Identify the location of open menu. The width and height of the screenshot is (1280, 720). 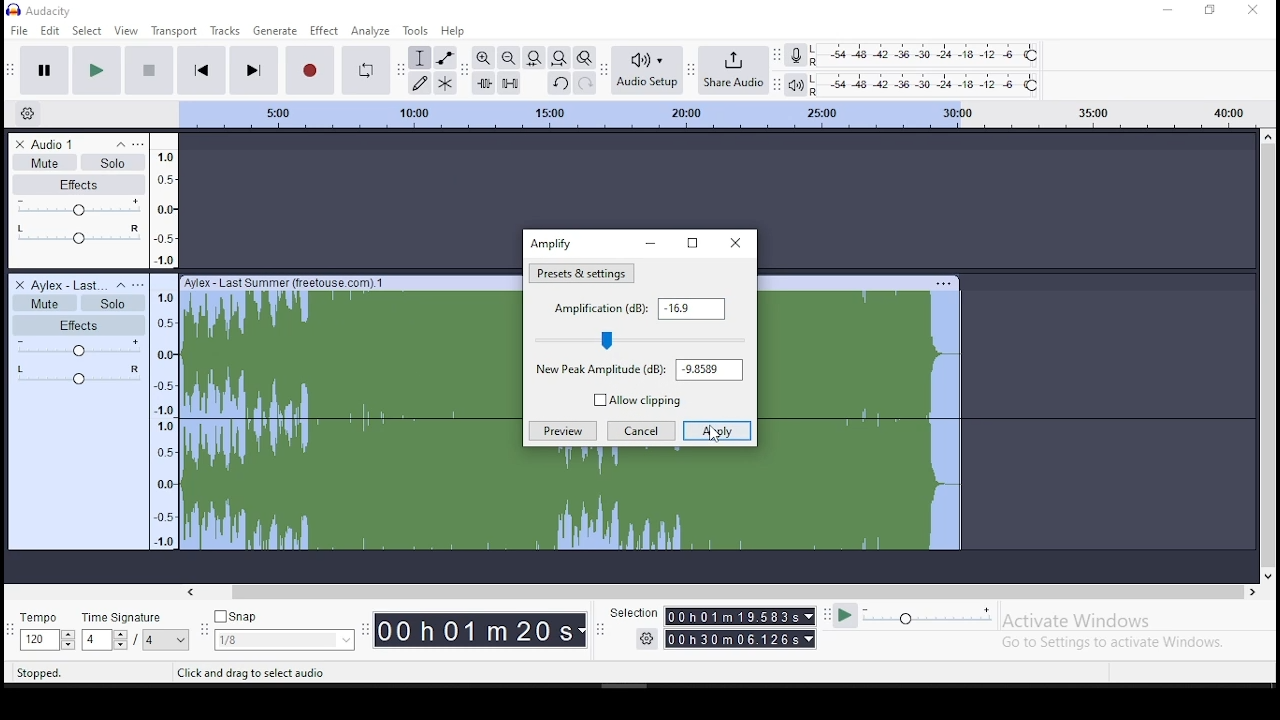
(139, 142).